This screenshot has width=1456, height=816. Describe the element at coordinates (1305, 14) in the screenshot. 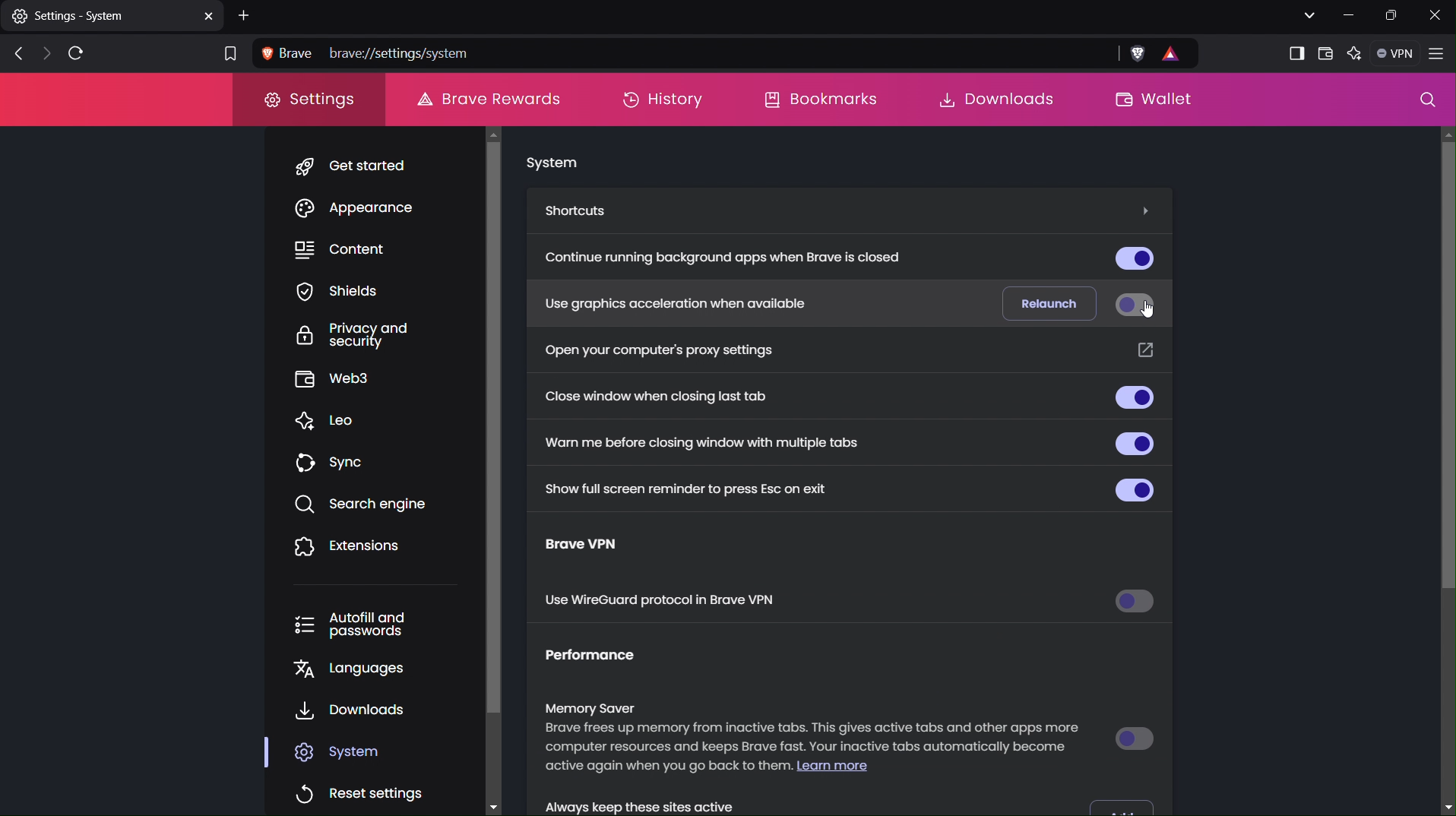

I see `List all tabs` at that location.